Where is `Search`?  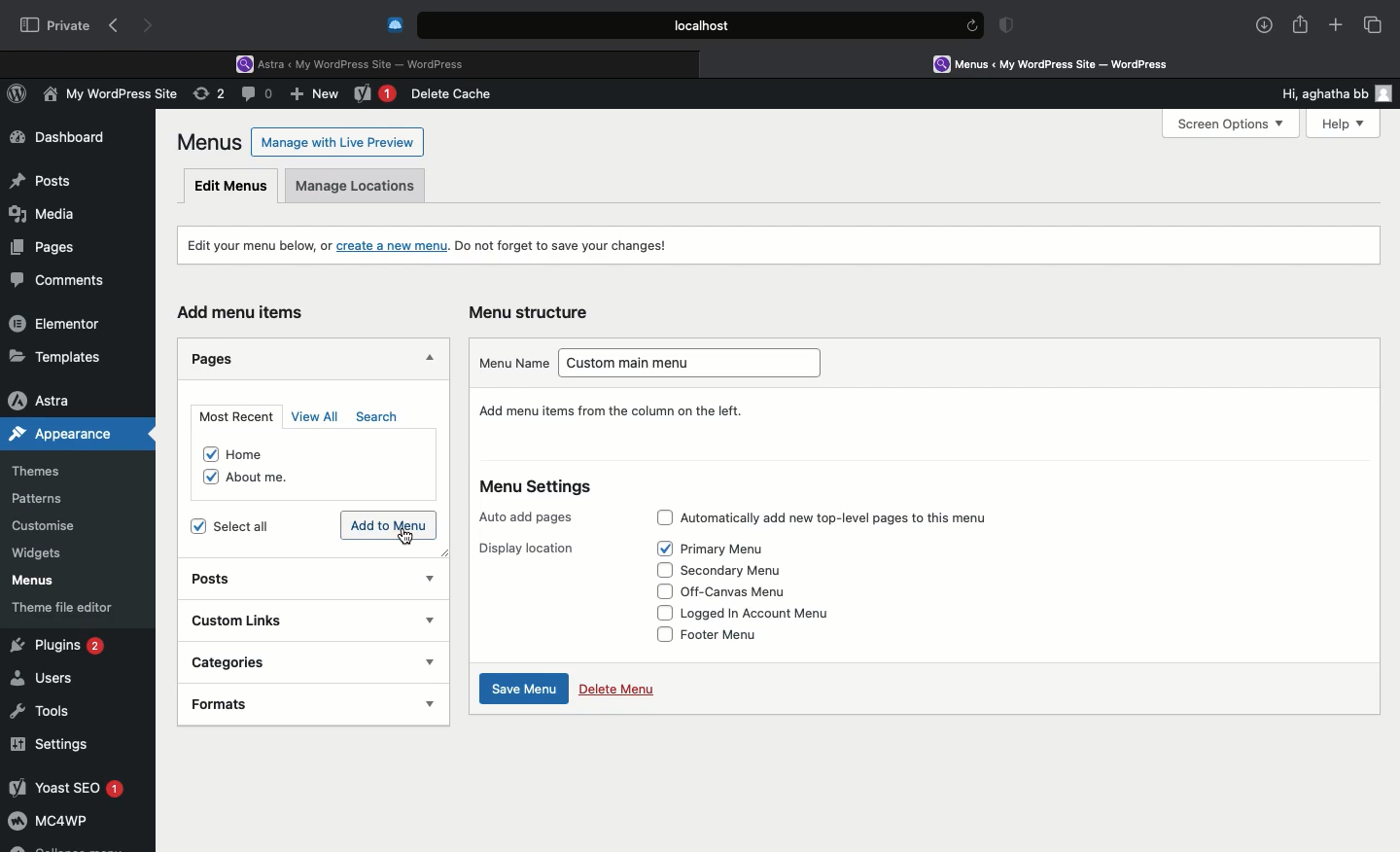 Search is located at coordinates (380, 417).